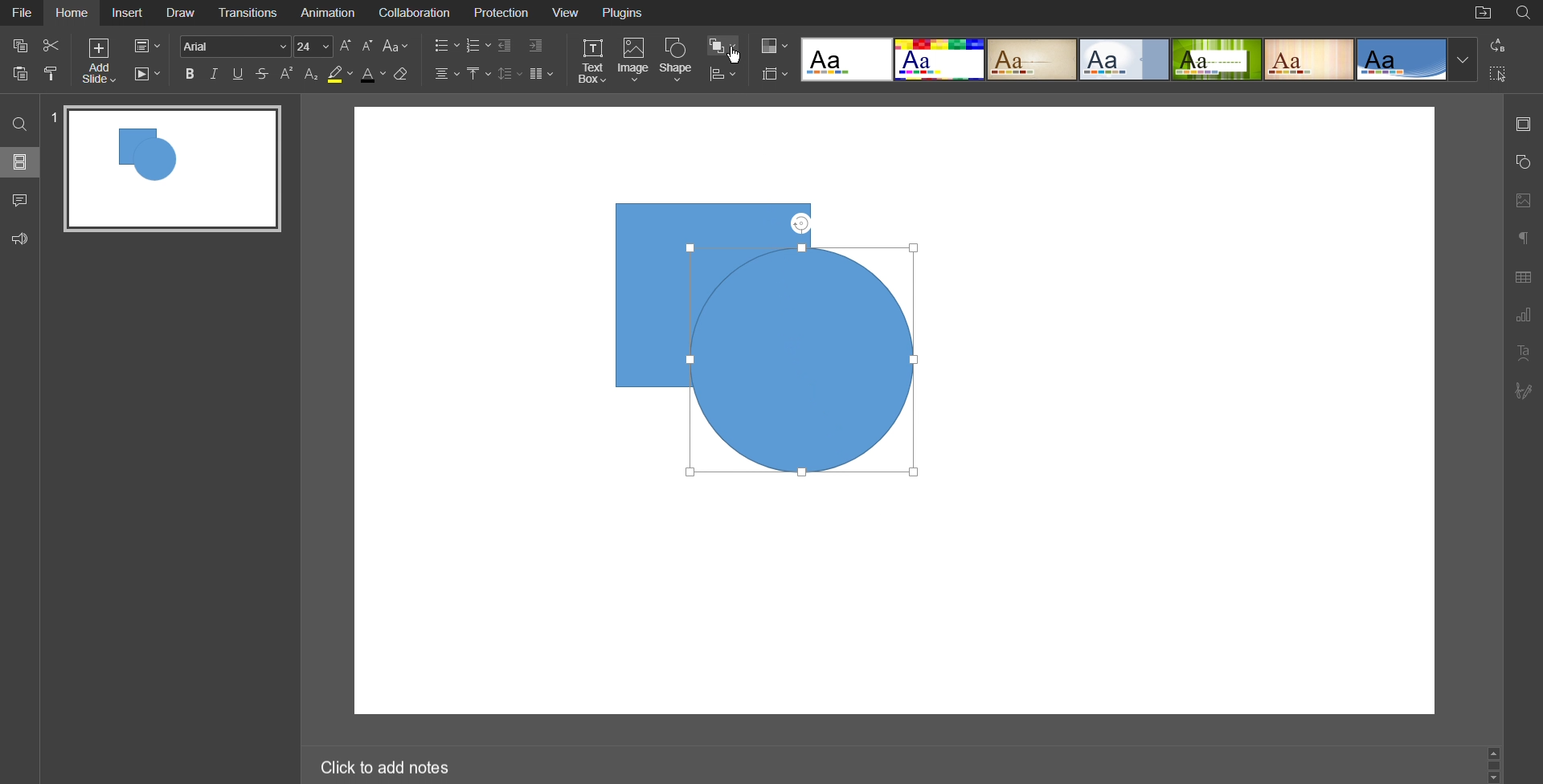  What do you see at coordinates (591, 62) in the screenshot?
I see `Text Box` at bounding box center [591, 62].